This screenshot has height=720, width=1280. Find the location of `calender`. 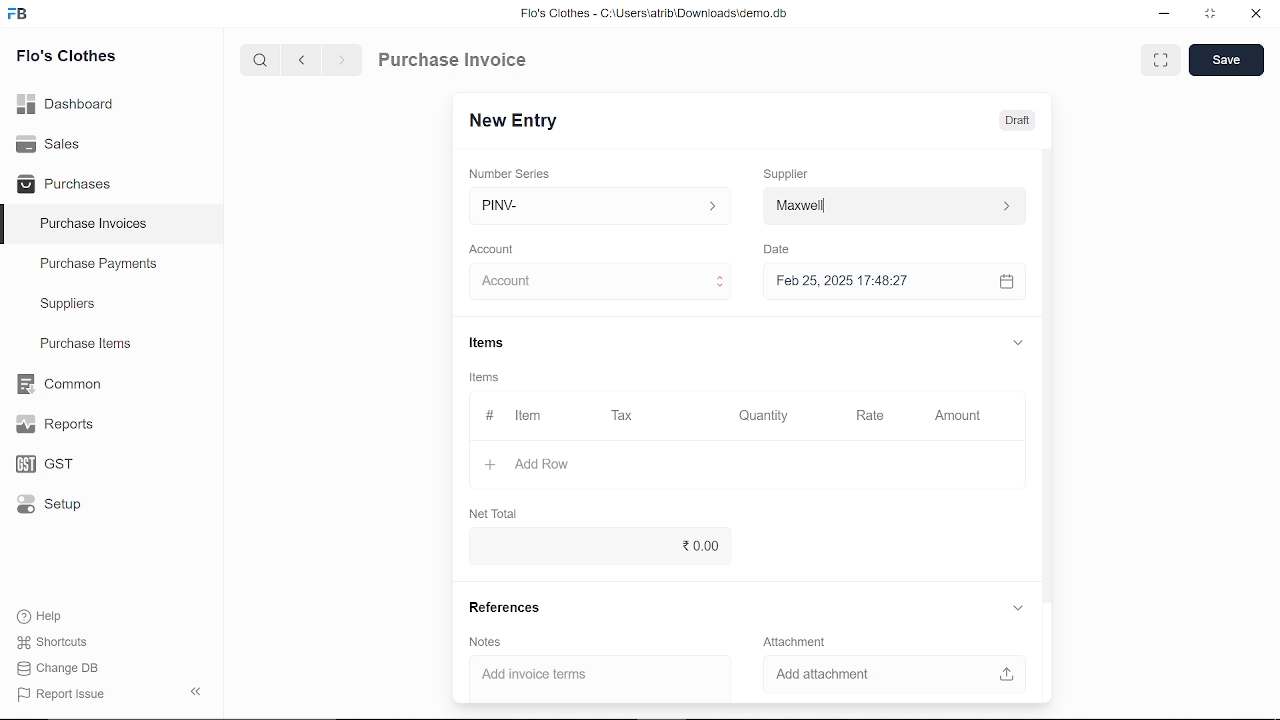

calender is located at coordinates (1009, 282).